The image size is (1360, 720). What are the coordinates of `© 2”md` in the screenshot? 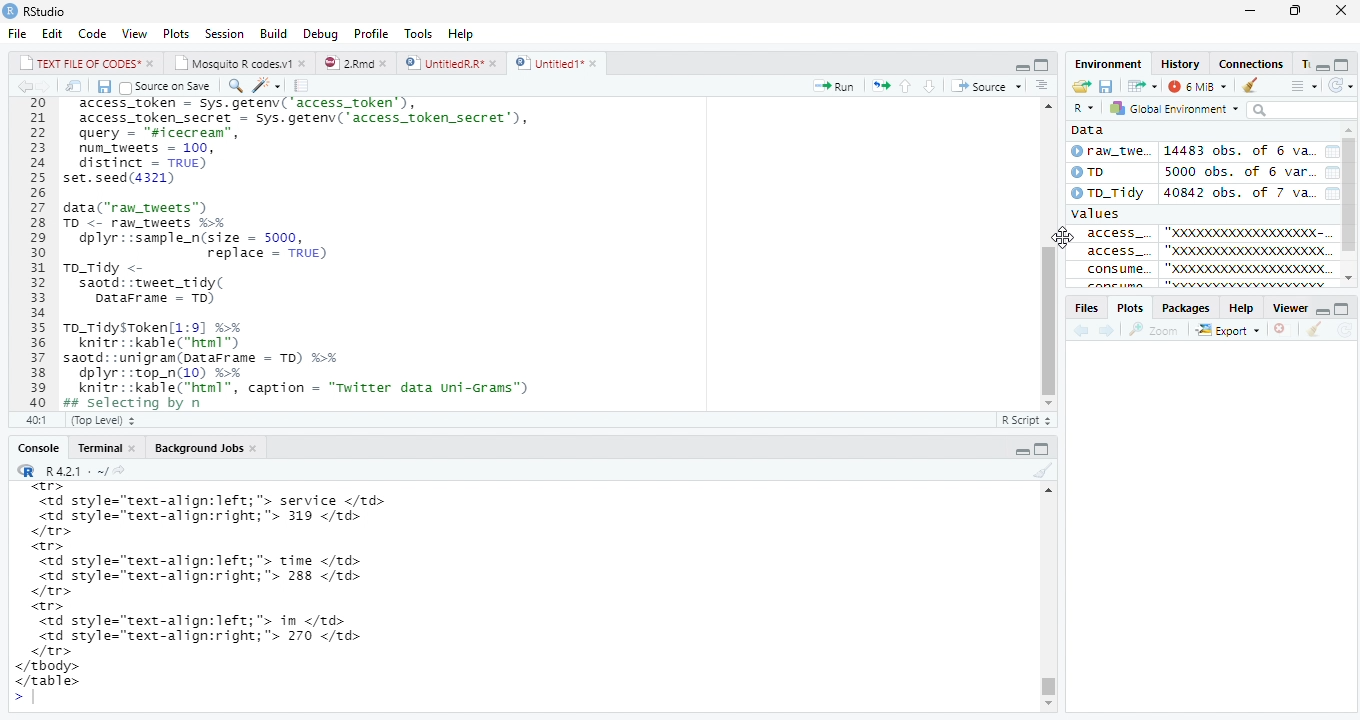 It's located at (357, 64).